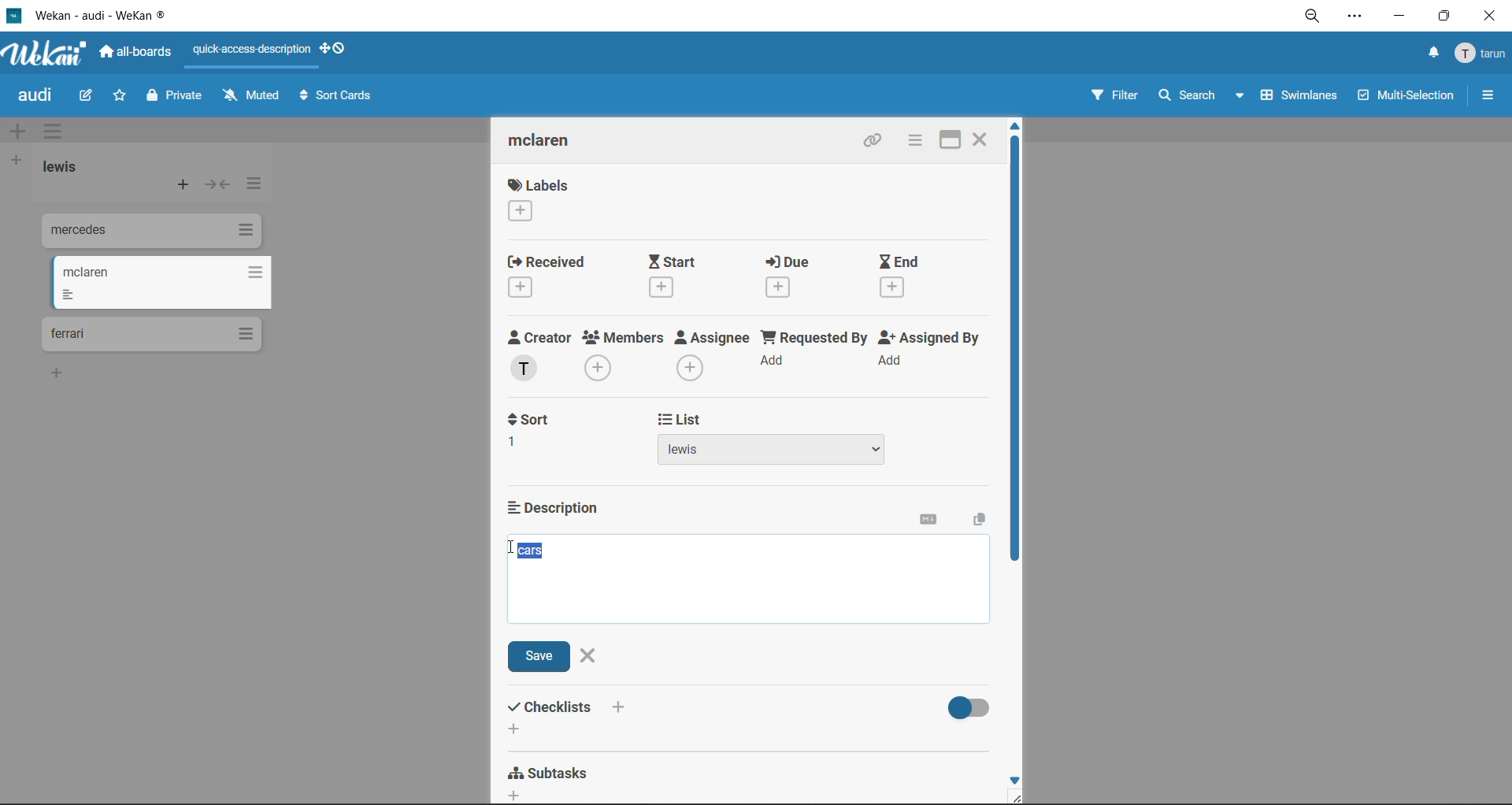  I want to click on copy link, so click(876, 142).